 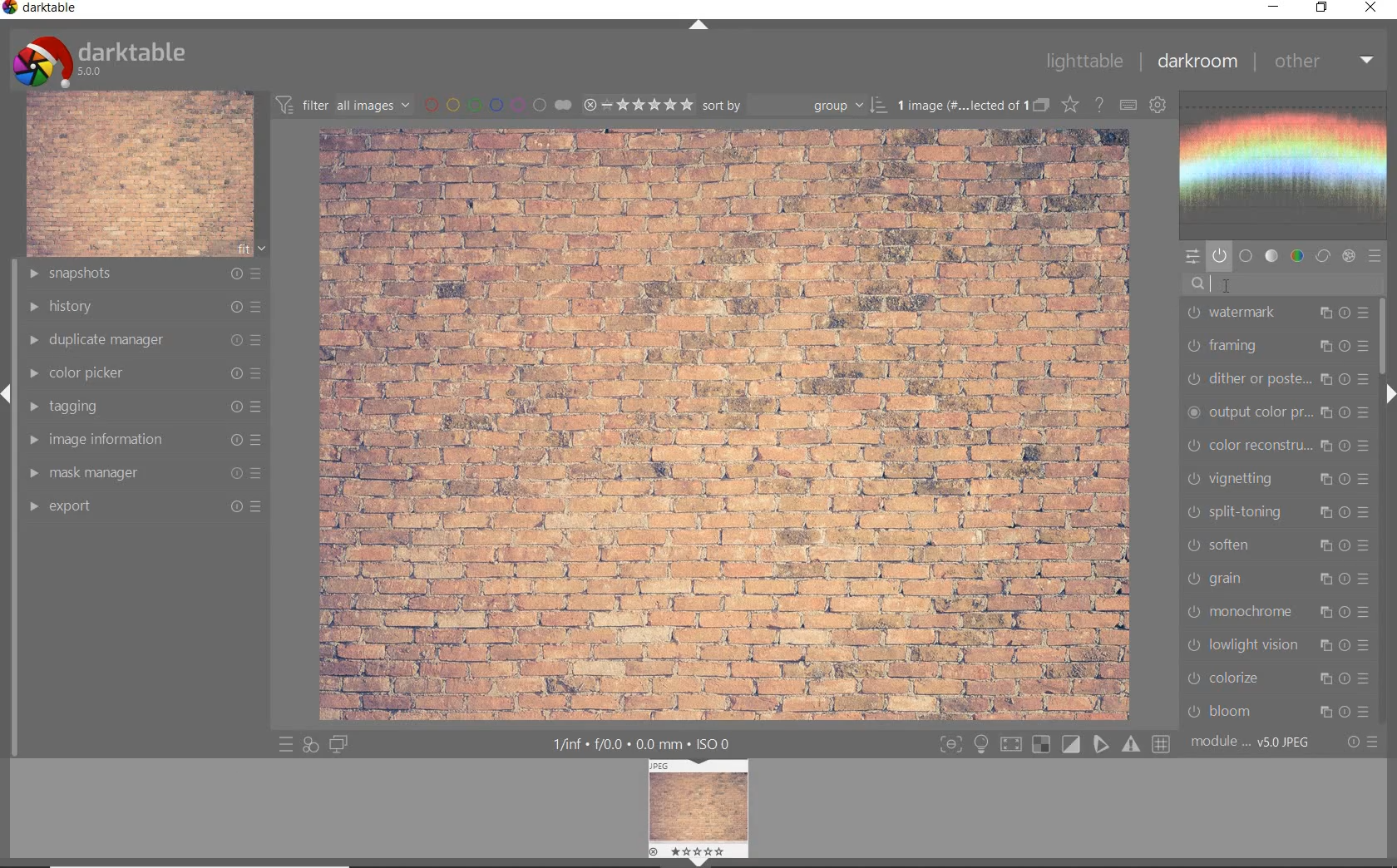 I want to click on correct , so click(x=1323, y=256).